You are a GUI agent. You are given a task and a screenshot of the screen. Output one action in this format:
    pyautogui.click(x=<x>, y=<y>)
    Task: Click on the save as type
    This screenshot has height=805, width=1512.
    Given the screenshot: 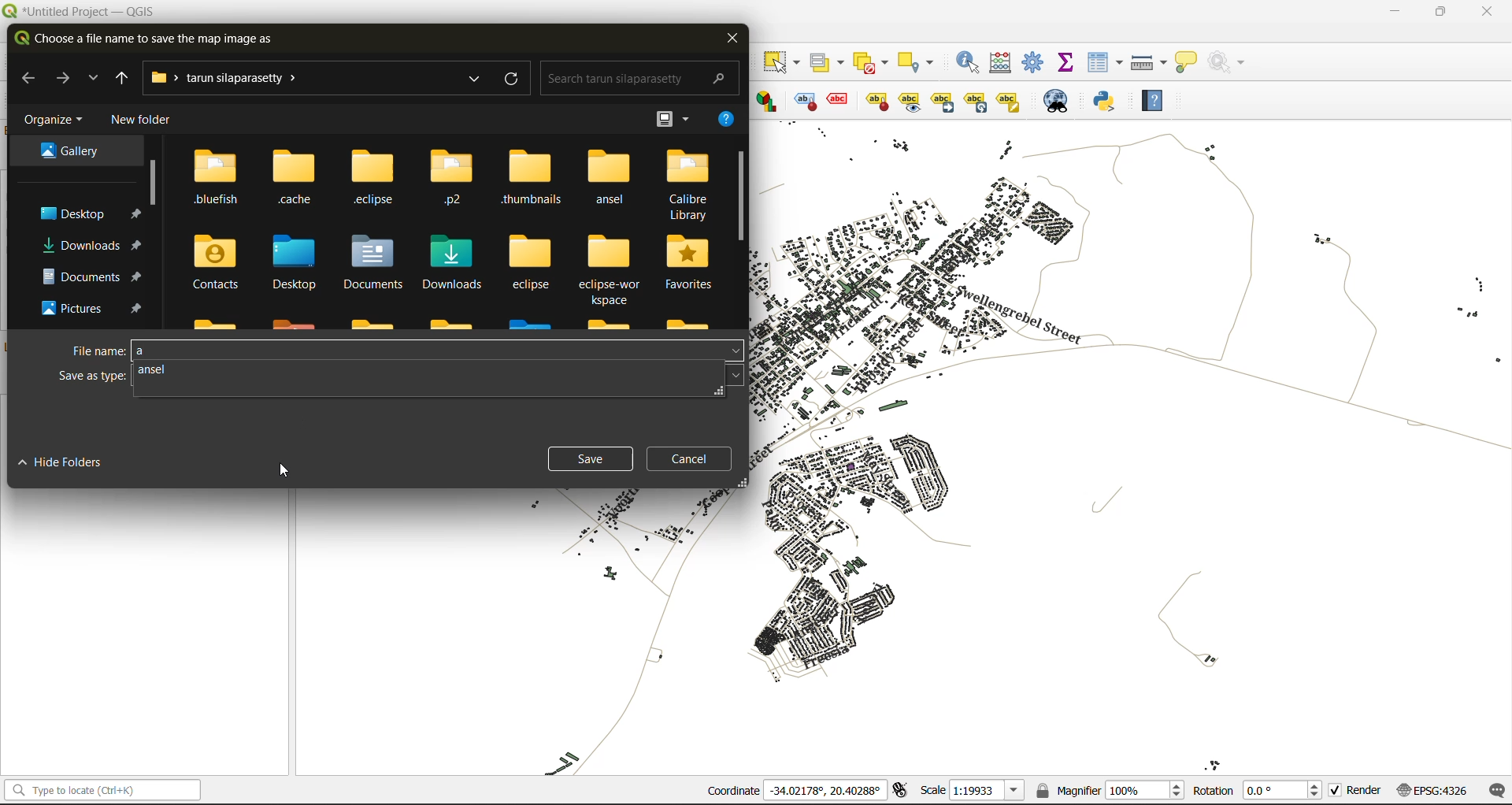 What is the action you would take?
    pyautogui.click(x=398, y=378)
    